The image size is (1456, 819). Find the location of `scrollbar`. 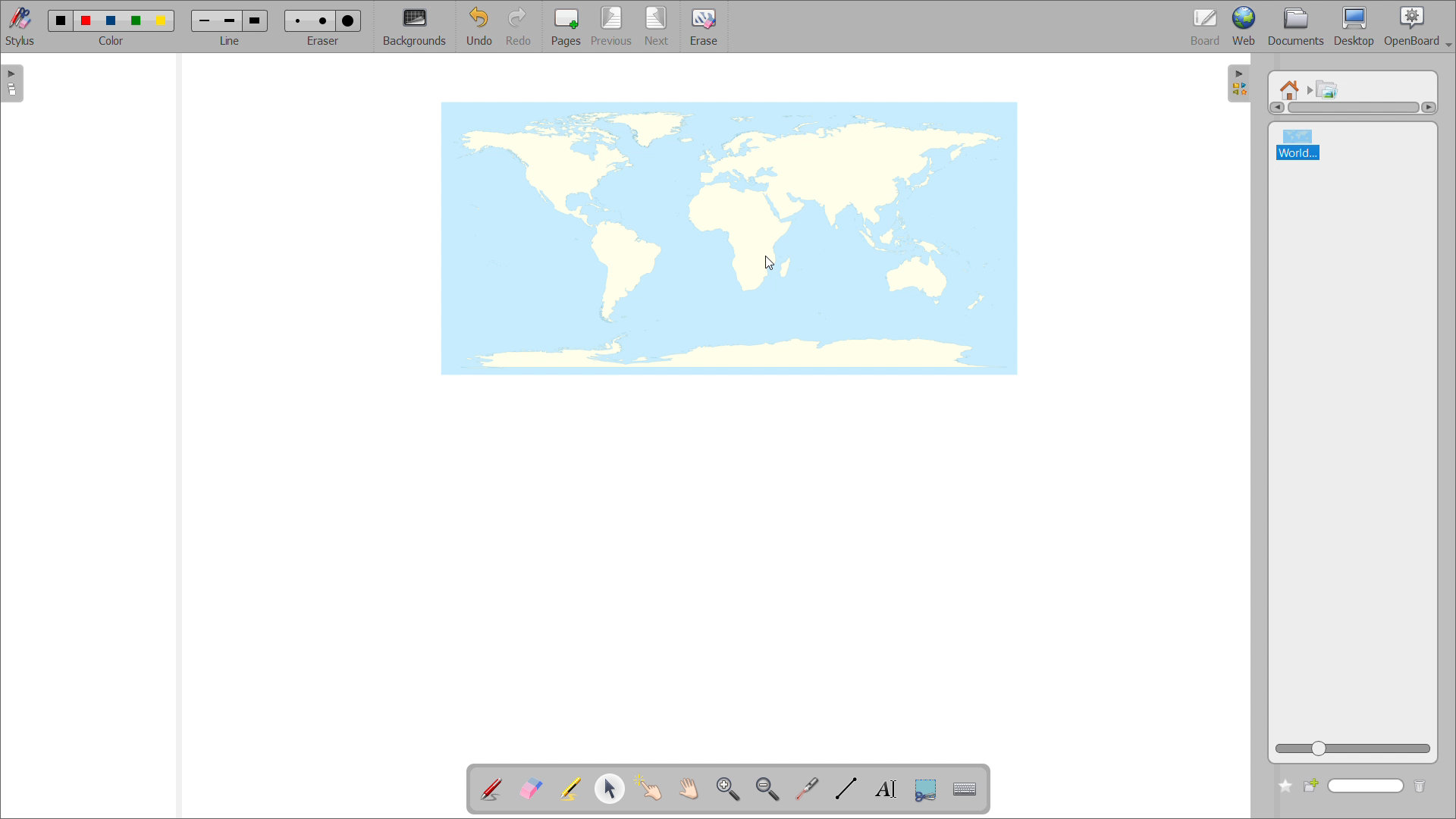

scrollbar is located at coordinates (1354, 108).